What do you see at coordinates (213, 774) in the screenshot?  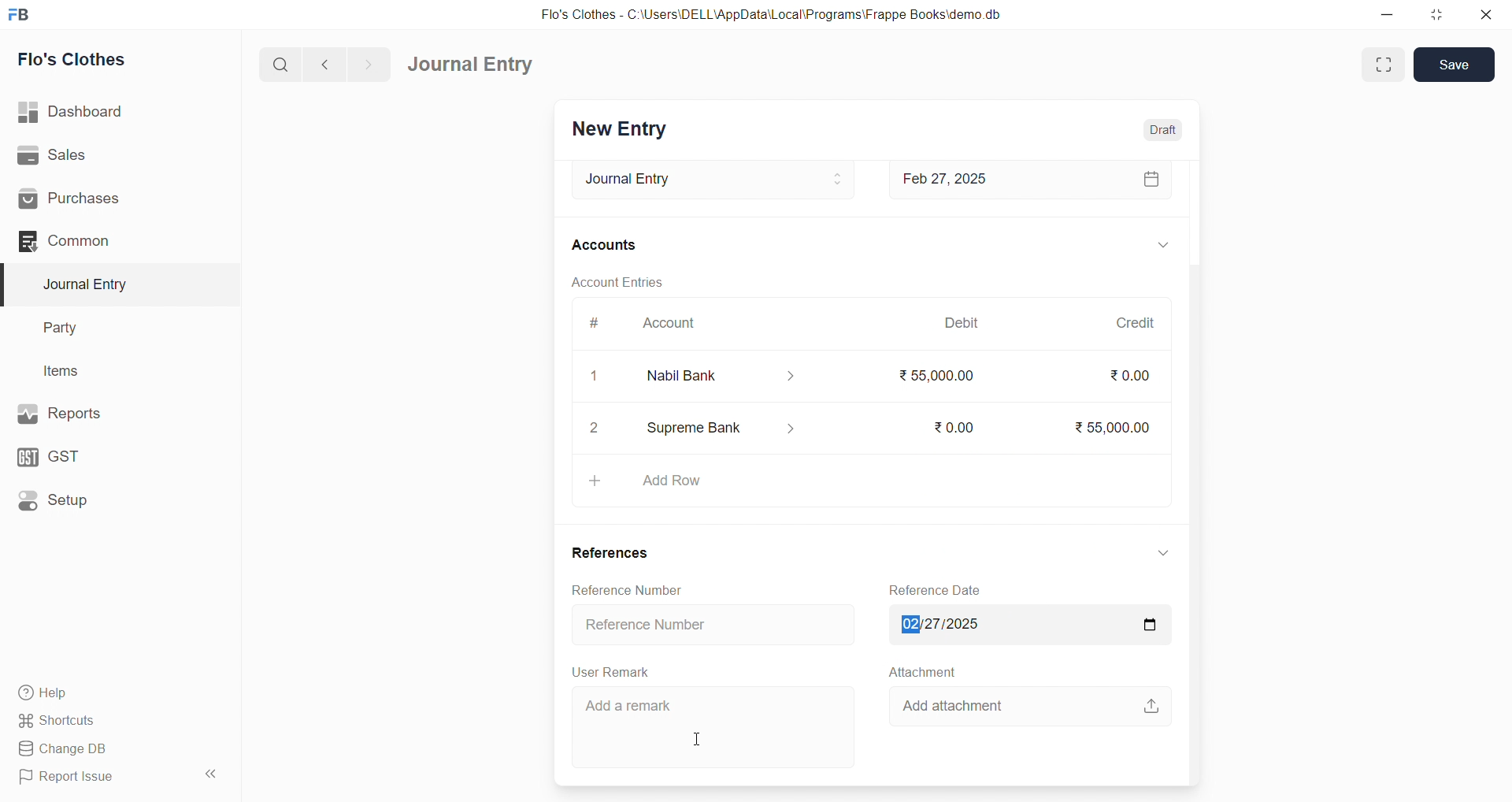 I see `collapse sidebar` at bounding box center [213, 774].